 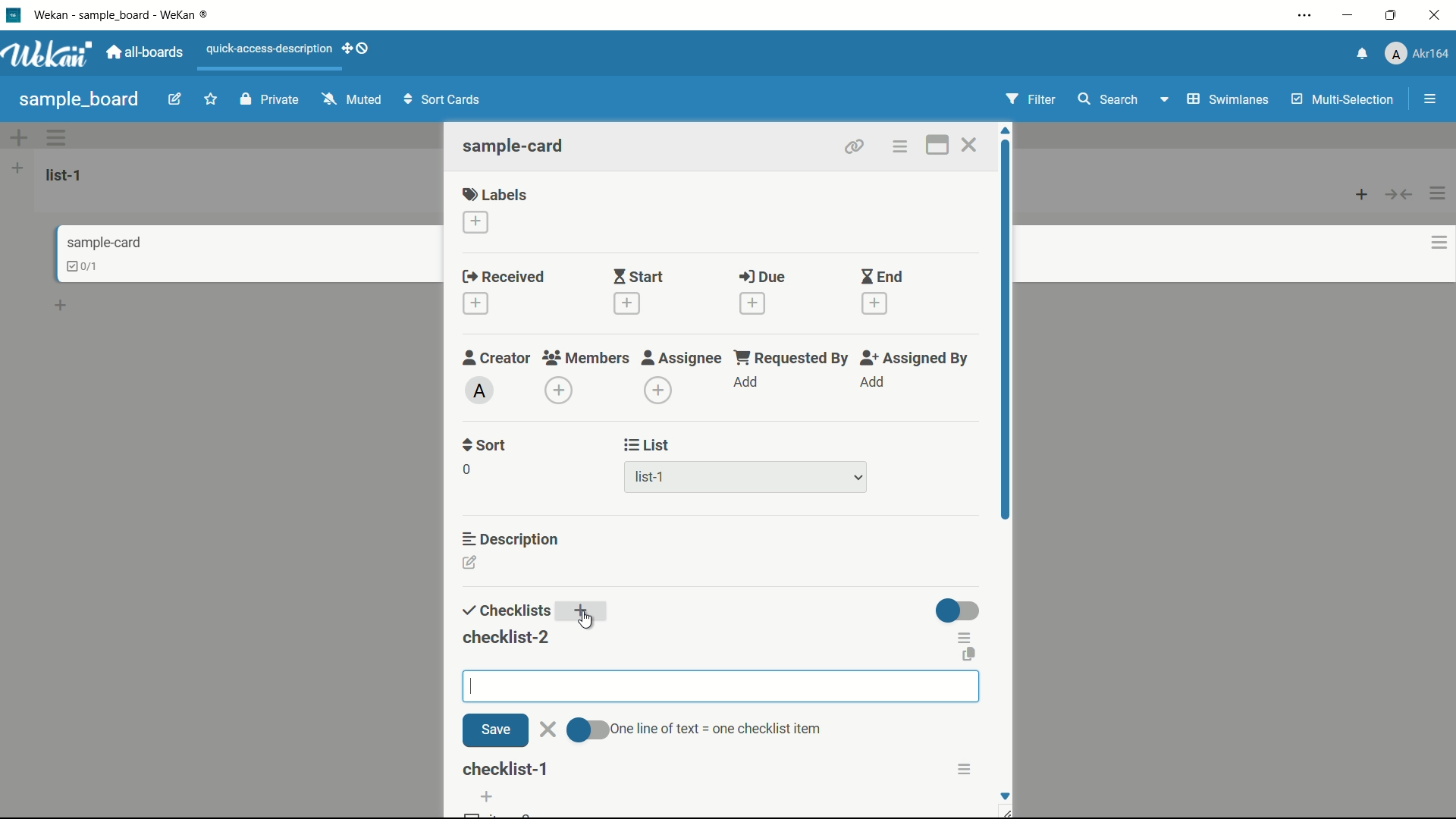 What do you see at coordinates (648, 445) in the screenshot?
I see `list` at bounding box center [648, 445].